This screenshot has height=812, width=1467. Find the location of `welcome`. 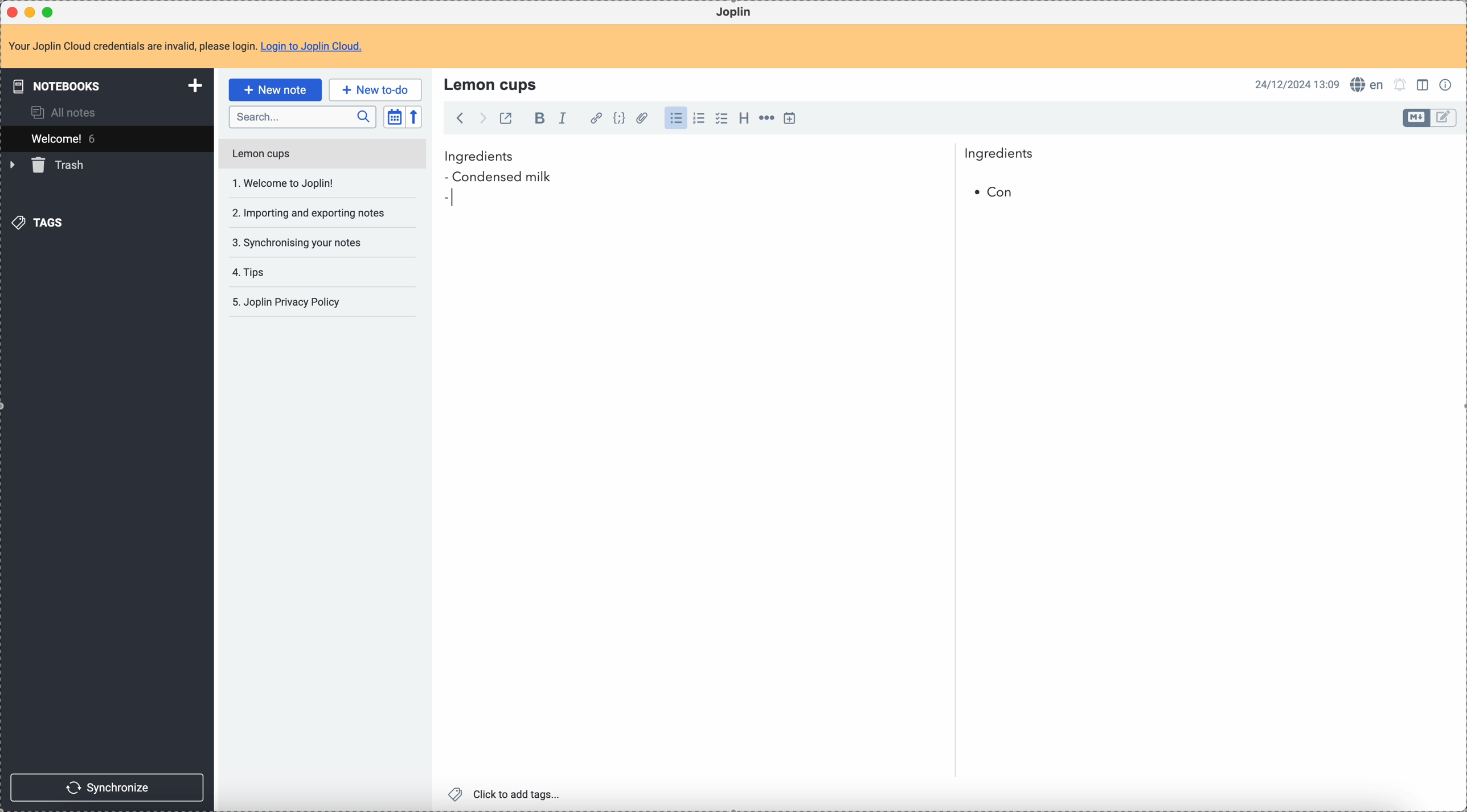

welcome is located at coordinates (106, 138).